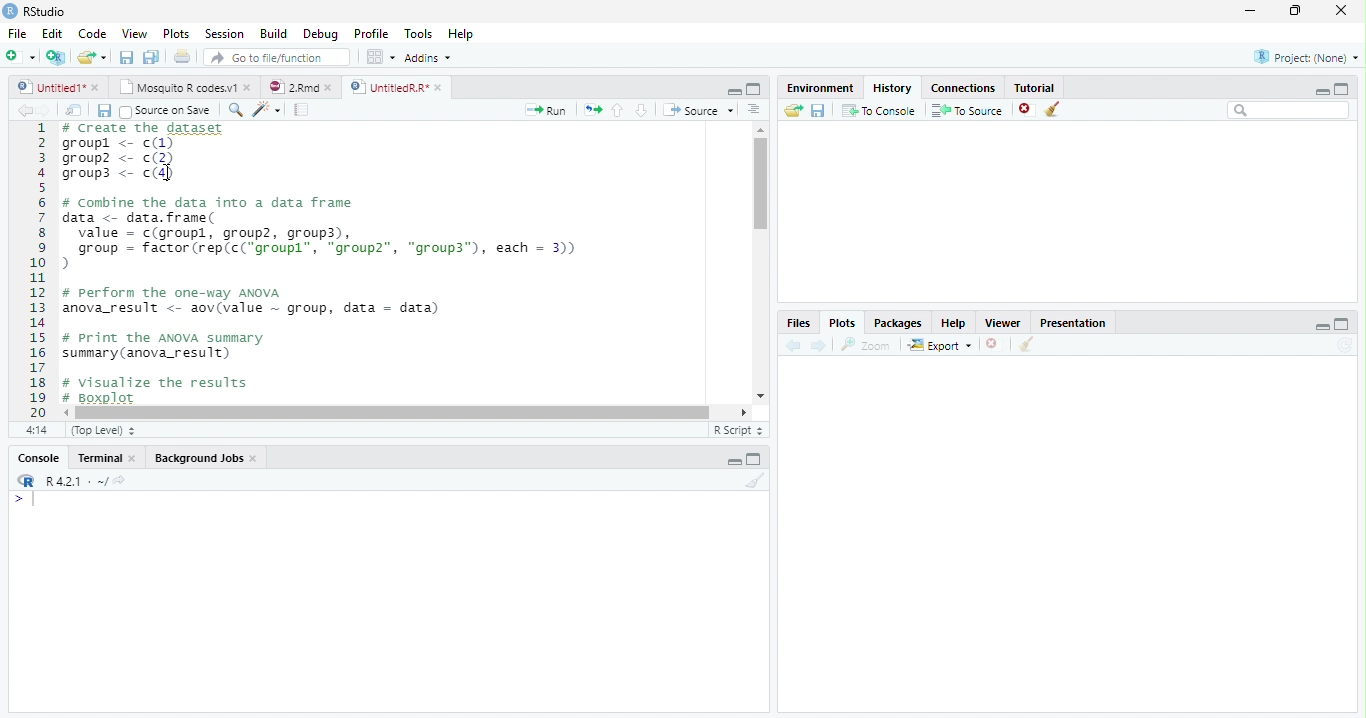 This screenshot has width=1366, height=718. I want to click on Untitled, so click(59, 87).